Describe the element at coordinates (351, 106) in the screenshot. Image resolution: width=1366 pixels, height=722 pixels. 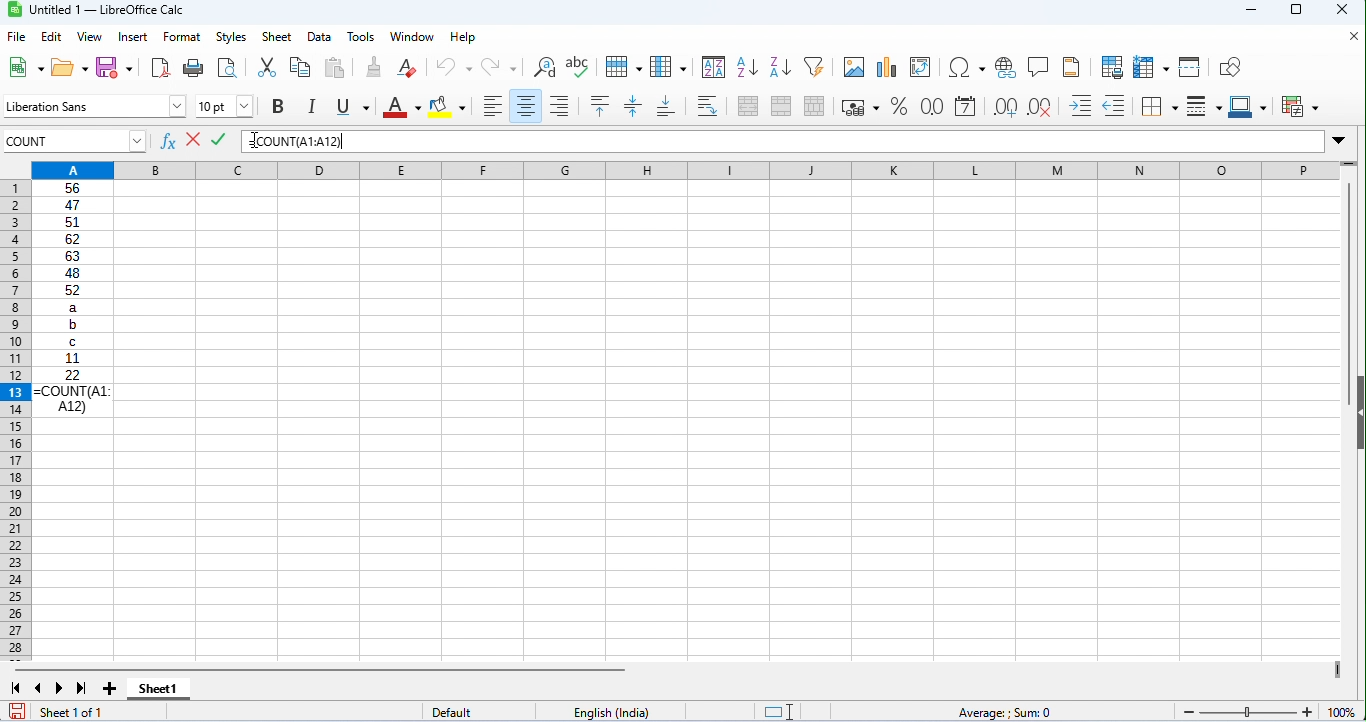
I see `underline` at that location.